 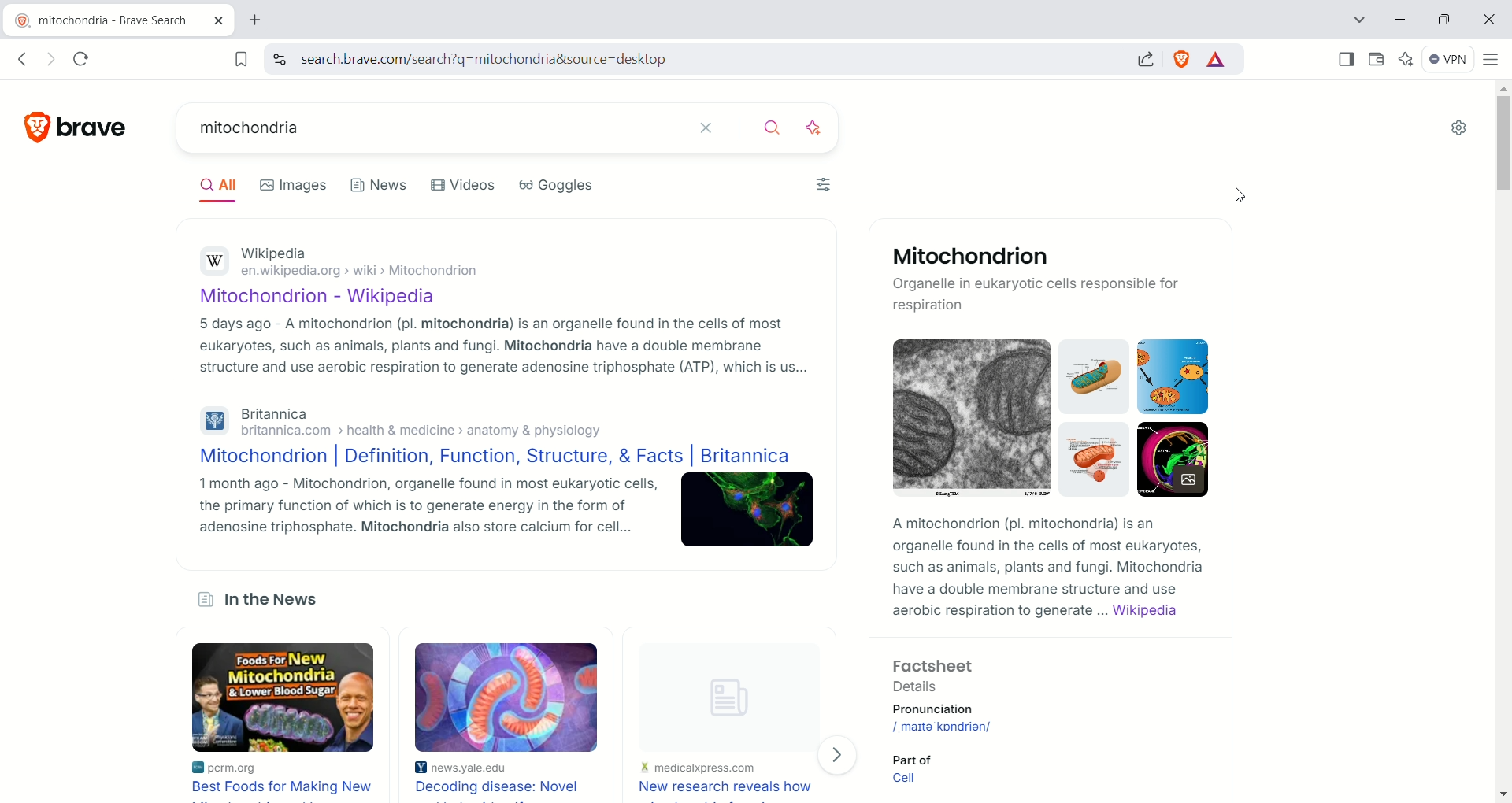 What do you see at coordinates (291, 183) in the screenshot?
I see `Images` at bounding box center [291, 183].